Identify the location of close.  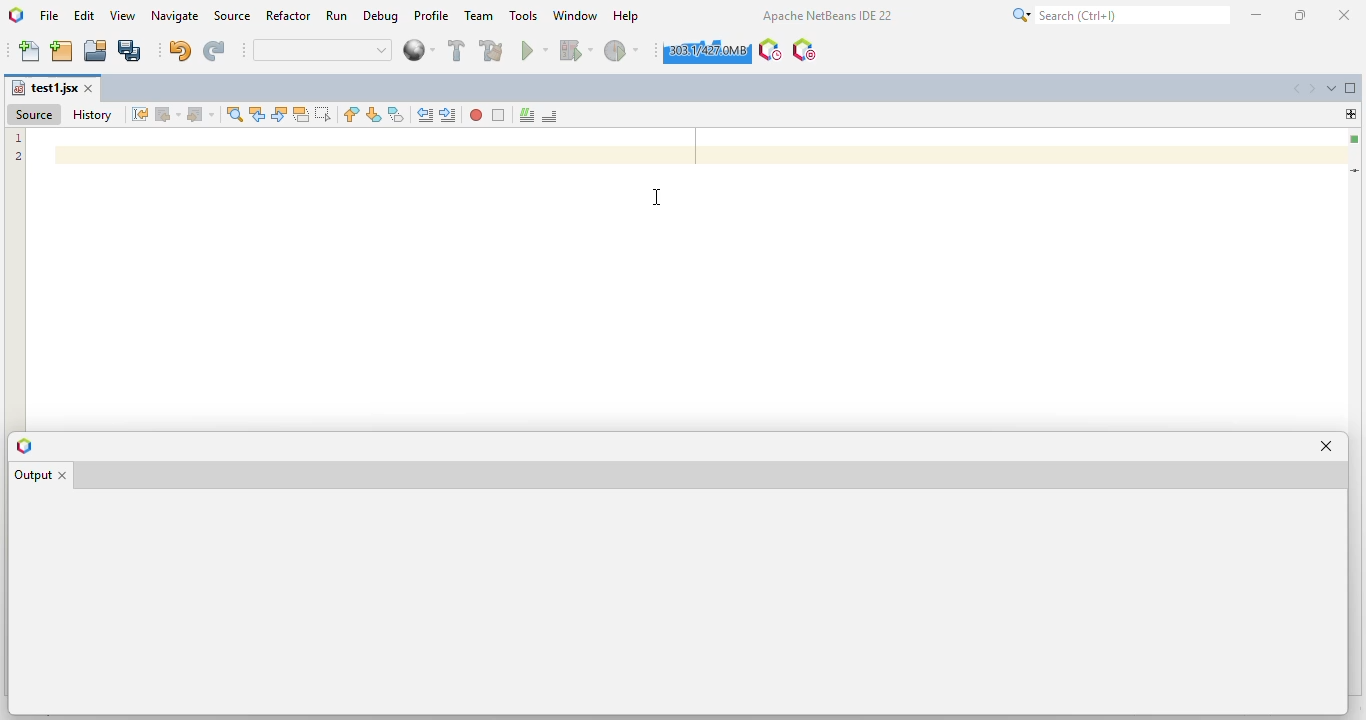
(1346, 15).